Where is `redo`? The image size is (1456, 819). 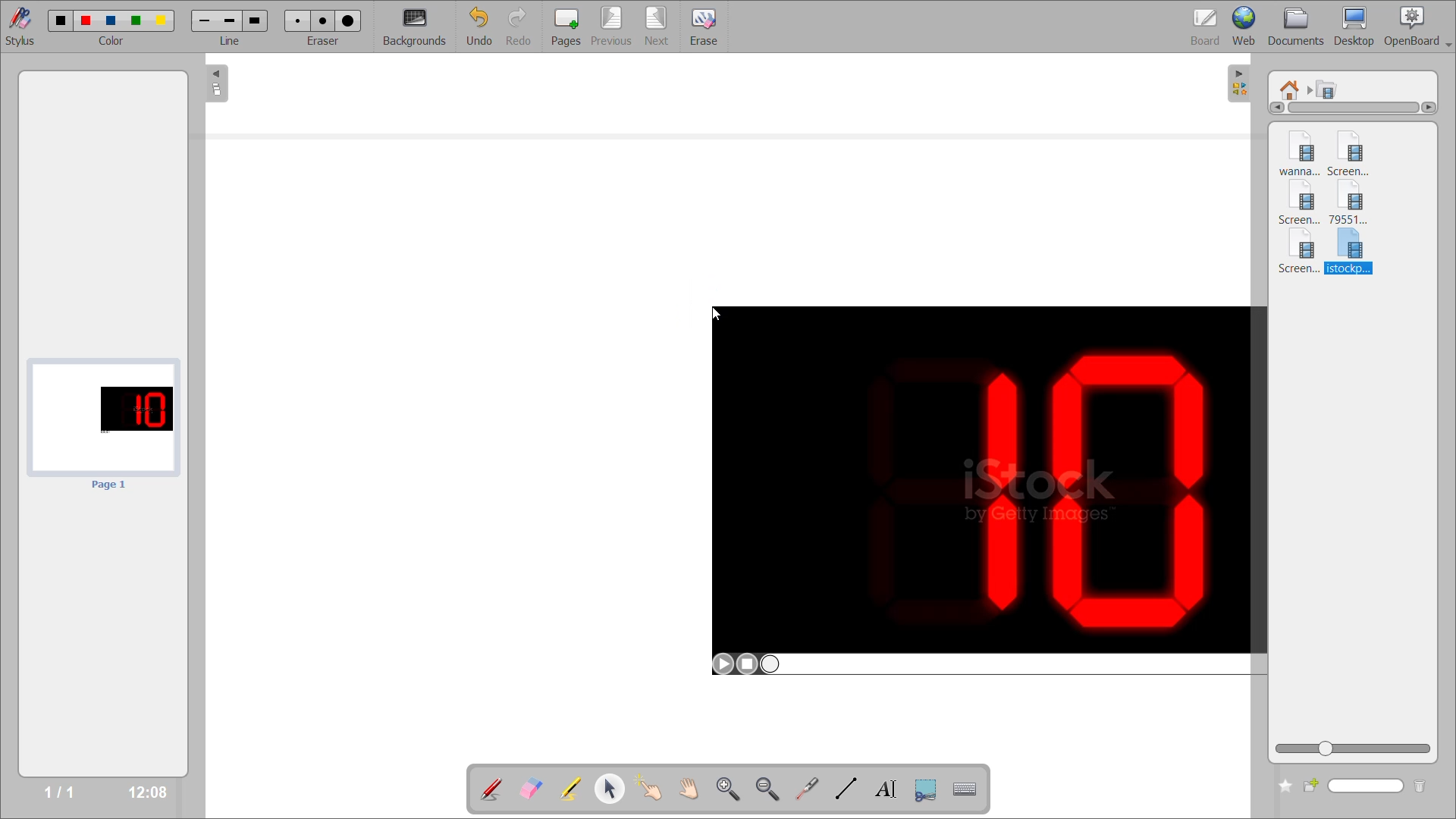
redo is located at coordinates (518, 27).